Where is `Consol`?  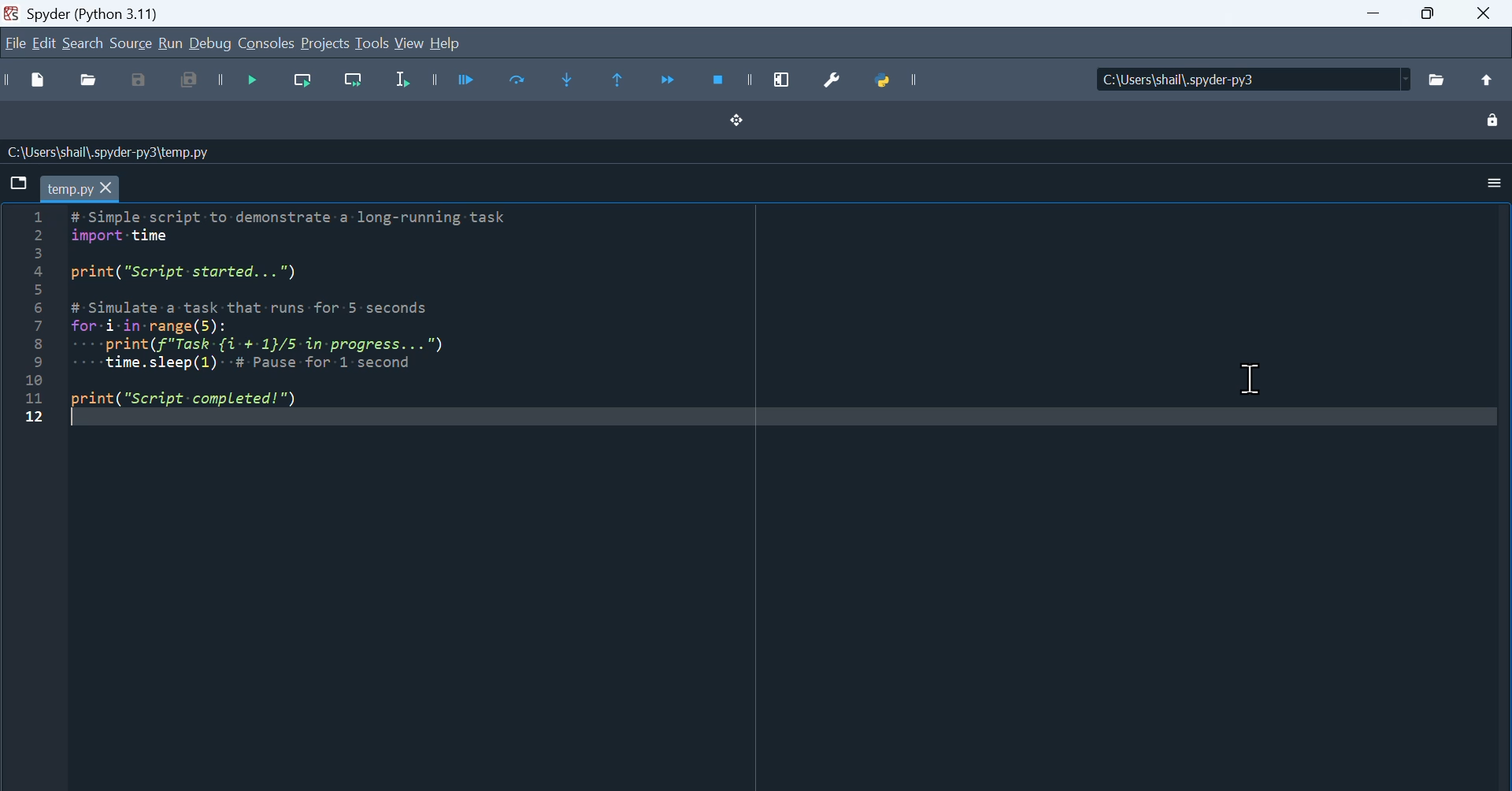 Consol is located at coordinates (266, 42).